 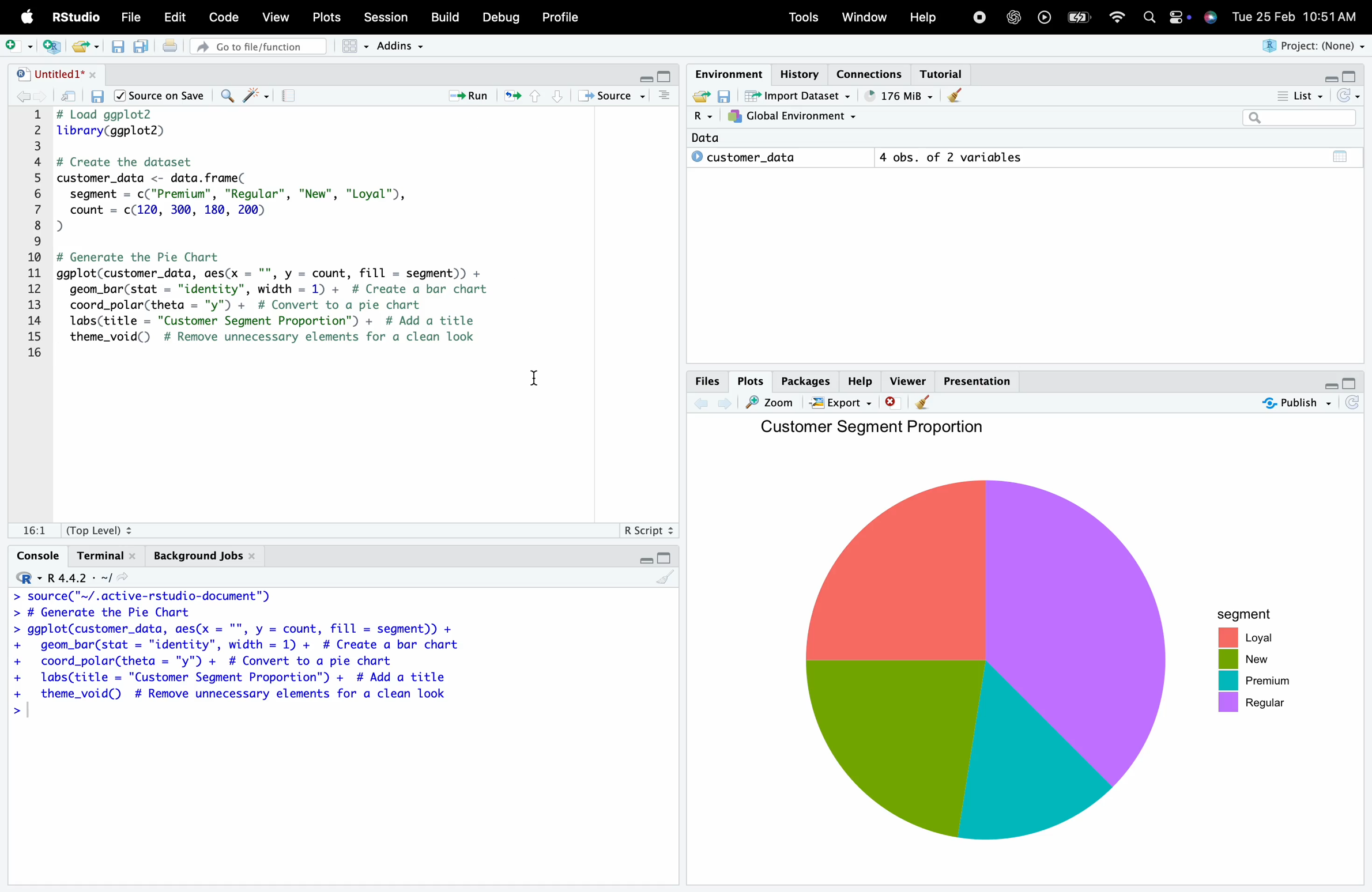 I want to click on Plots, so click(x=330, y=17).